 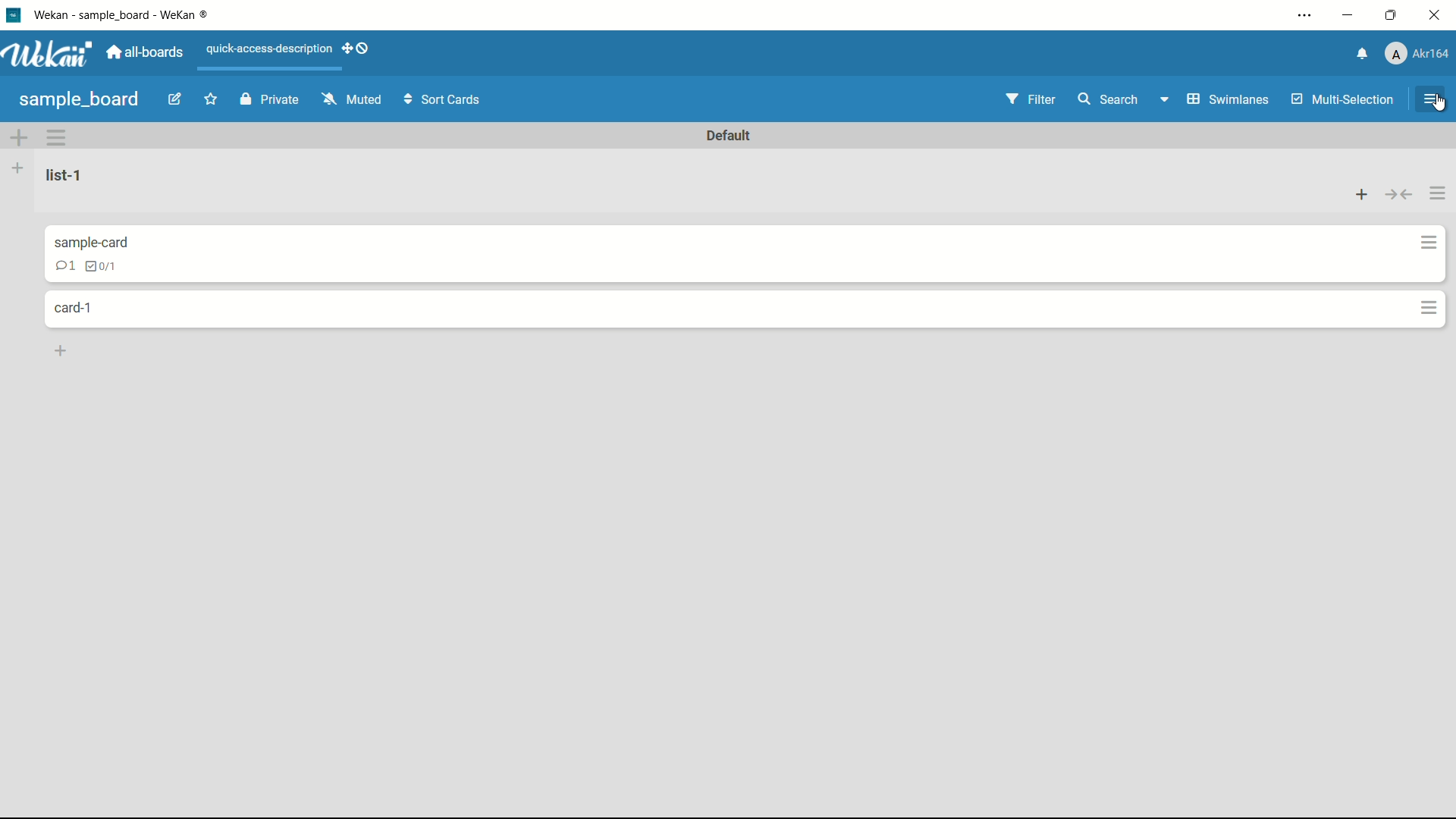 I want to click on card name, so click(x=72, y=309).